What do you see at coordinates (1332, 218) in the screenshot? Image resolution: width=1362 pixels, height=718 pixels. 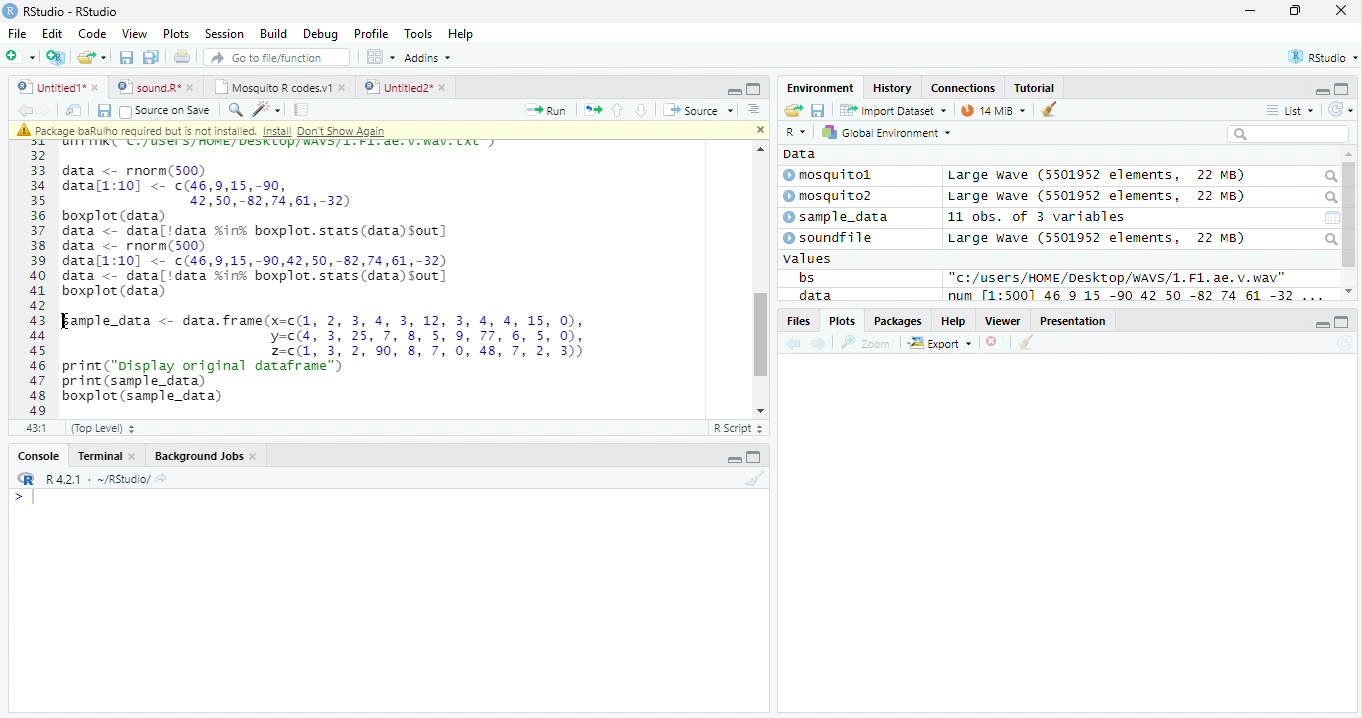 I see `Calendar` at bounding box center [1332, 218].